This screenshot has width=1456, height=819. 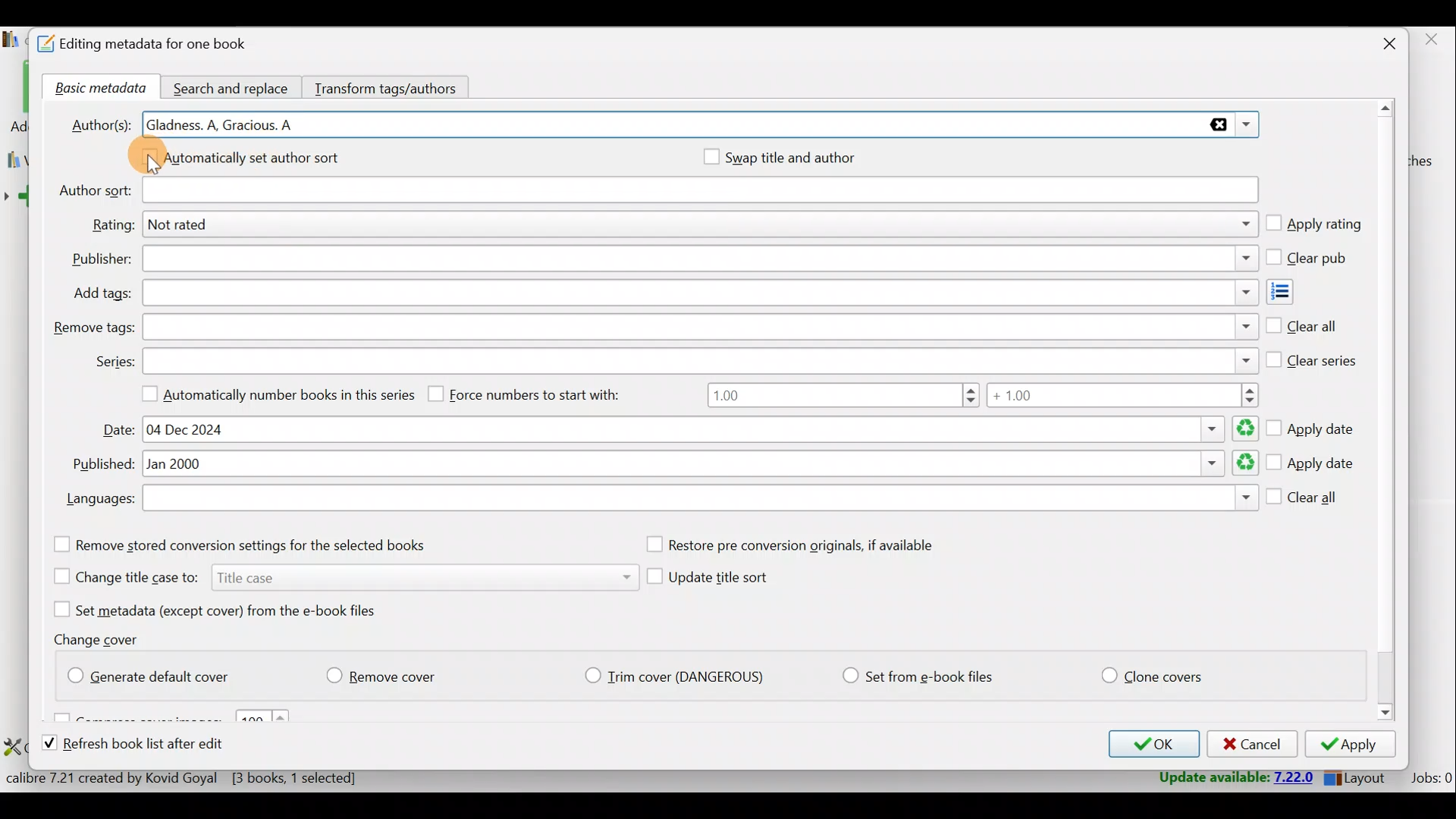 What do you see at coordinates (102, 639) in the screenshot?
I see `Change cover` at bounding box center [102, 639].